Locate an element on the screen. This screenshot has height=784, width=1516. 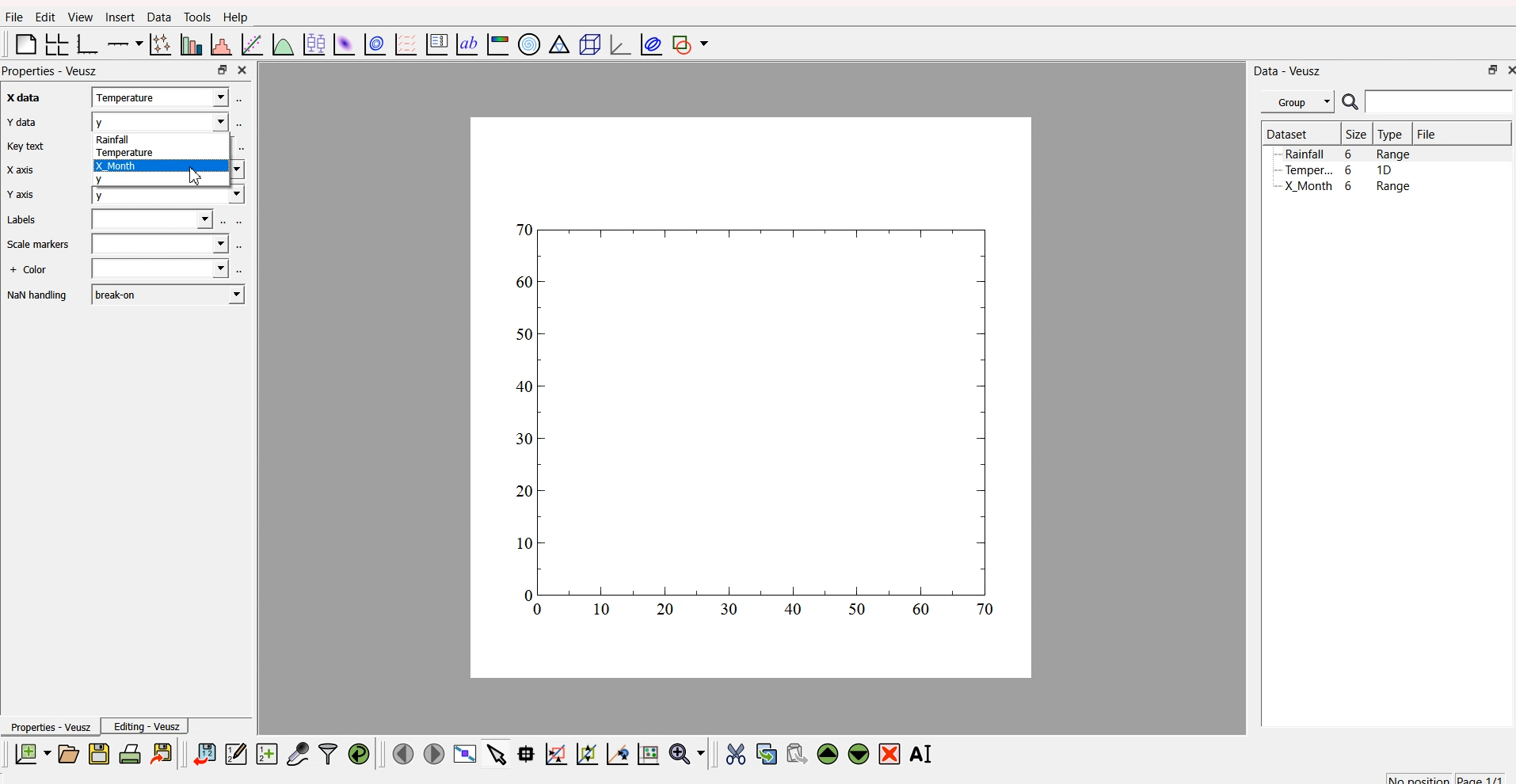
cut the widget is located at coordinates (734, 753).